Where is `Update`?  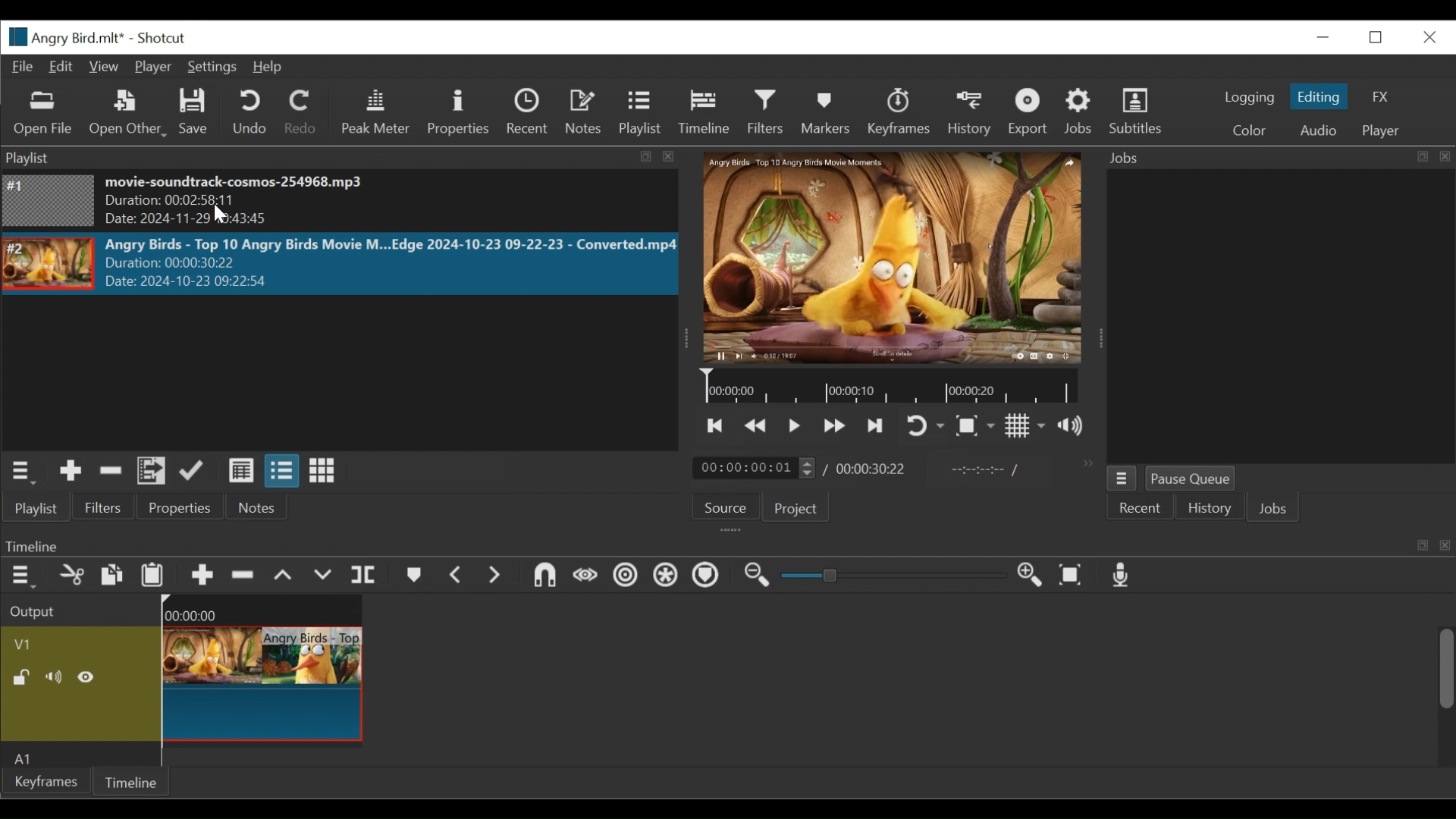
Update is located at coordinates (196, 471).